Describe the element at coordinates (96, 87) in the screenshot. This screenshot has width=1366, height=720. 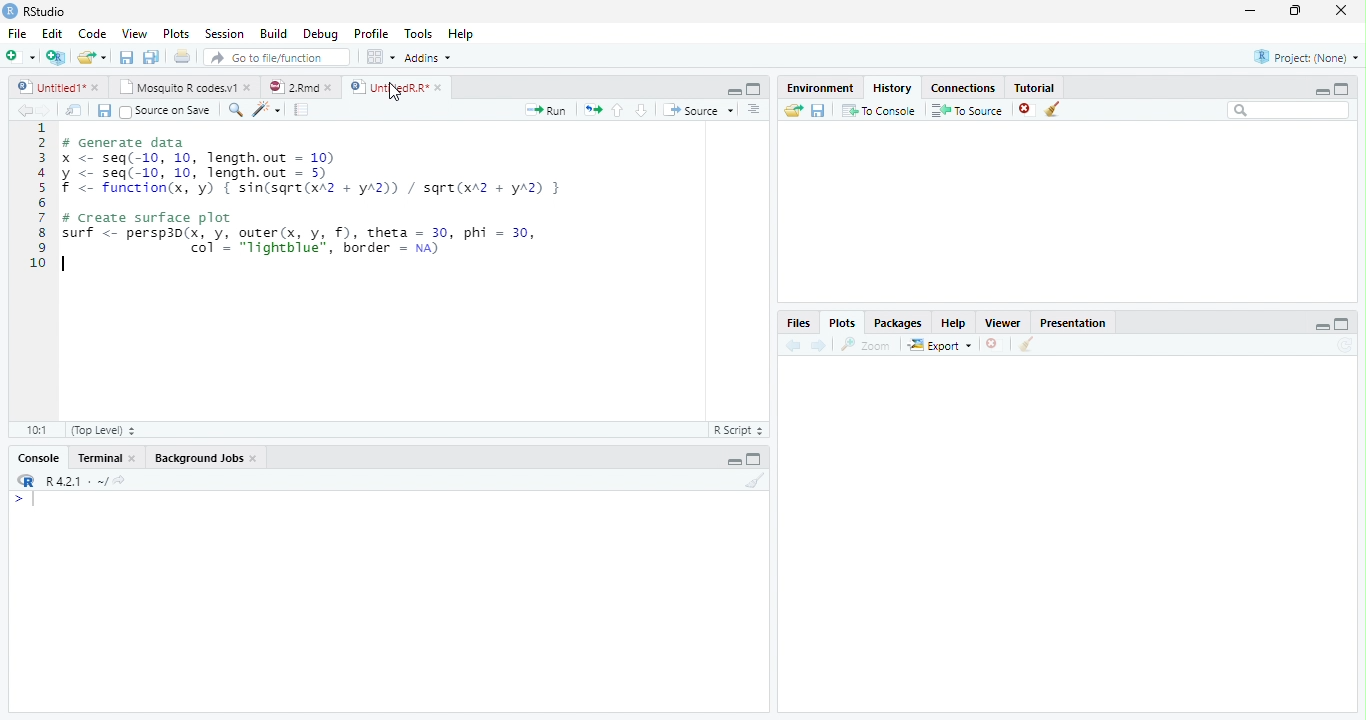
I see `close` at that location.